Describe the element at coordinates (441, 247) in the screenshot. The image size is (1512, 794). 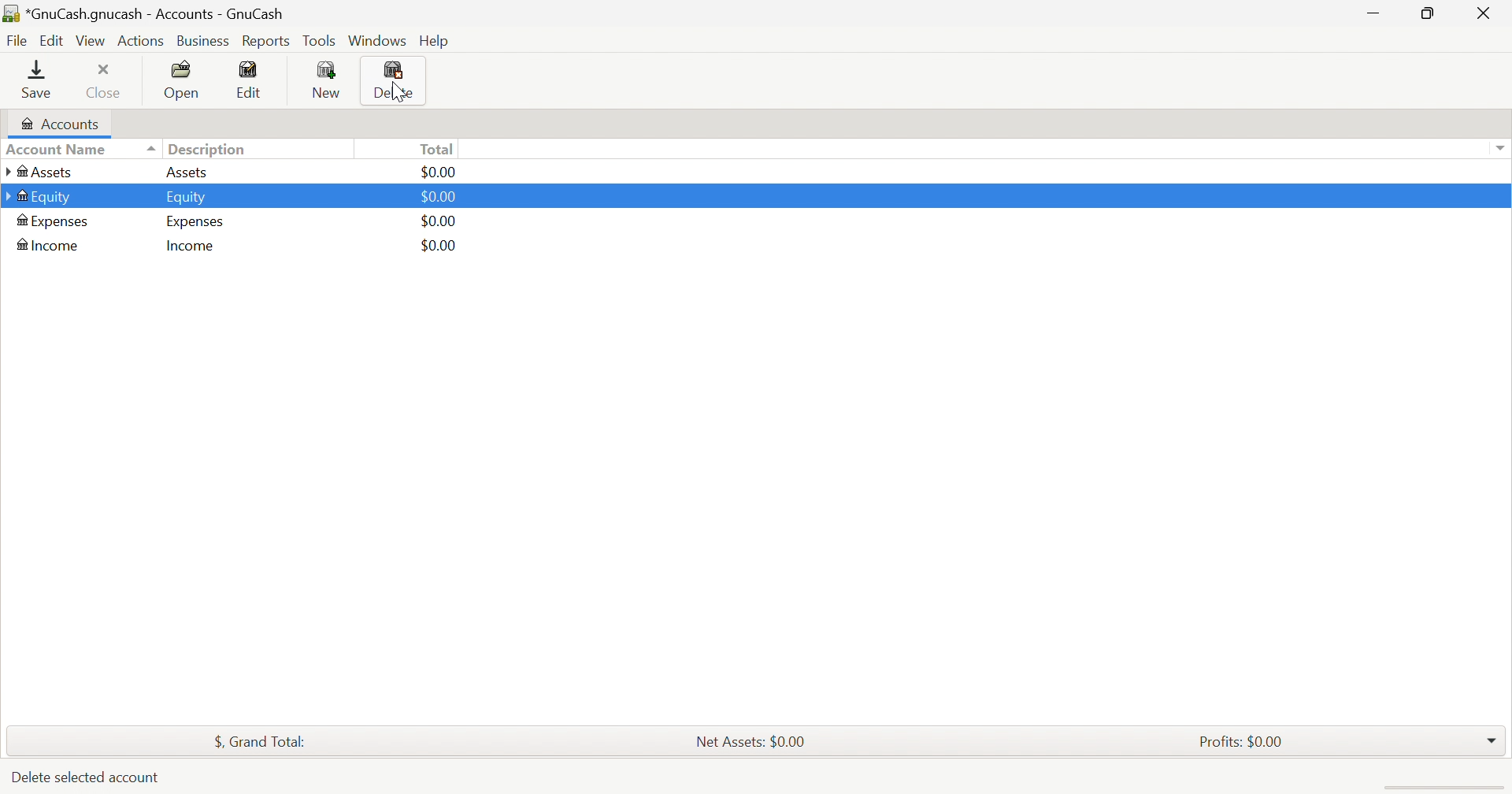
I see `$0.00` at that location.